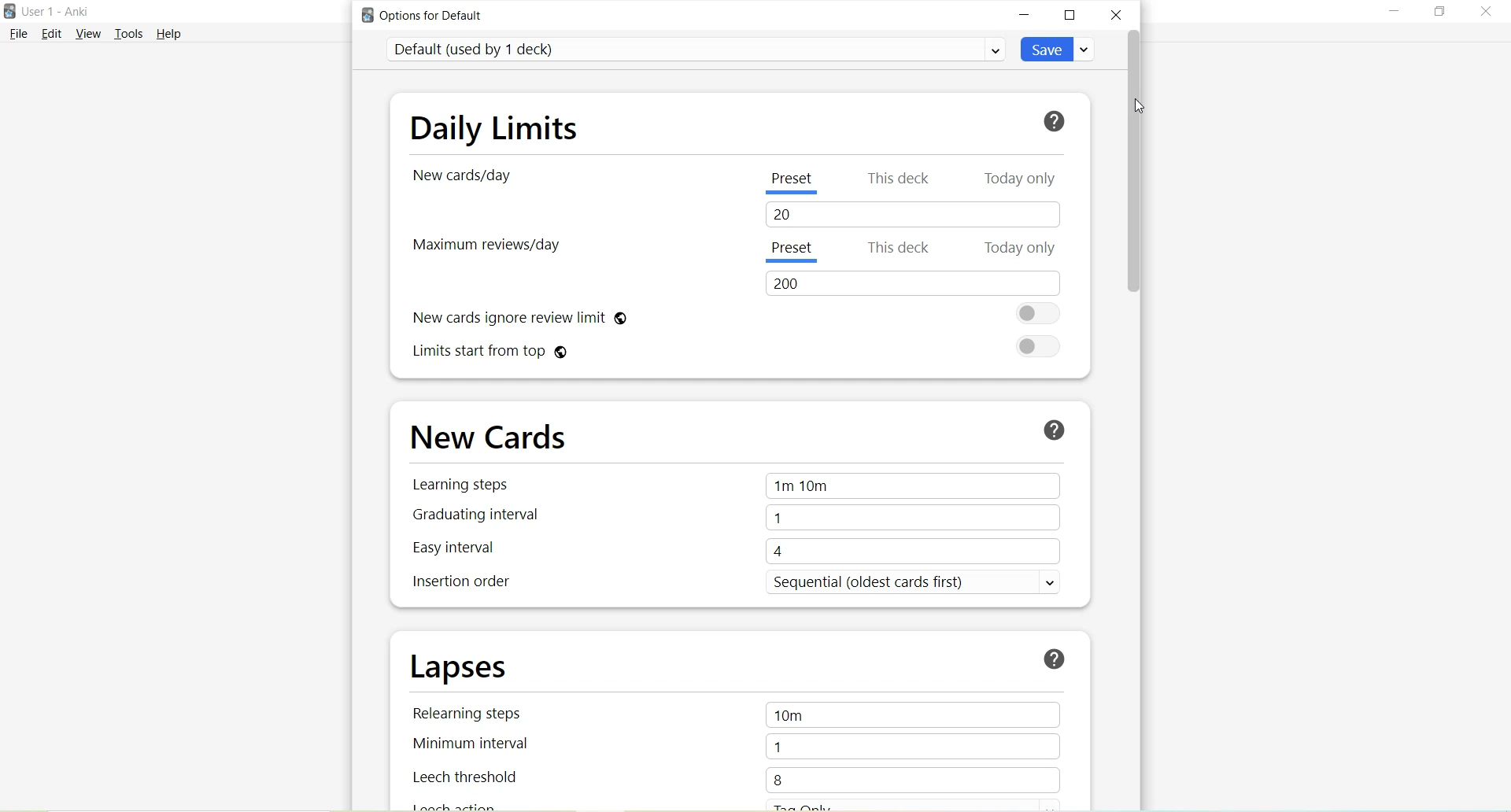 The width and height of the screenshot is (1511, 812). What do you see at coordinates (132, 34) in the screenshot?
I see `Tools` at bounding box center [132, 34].